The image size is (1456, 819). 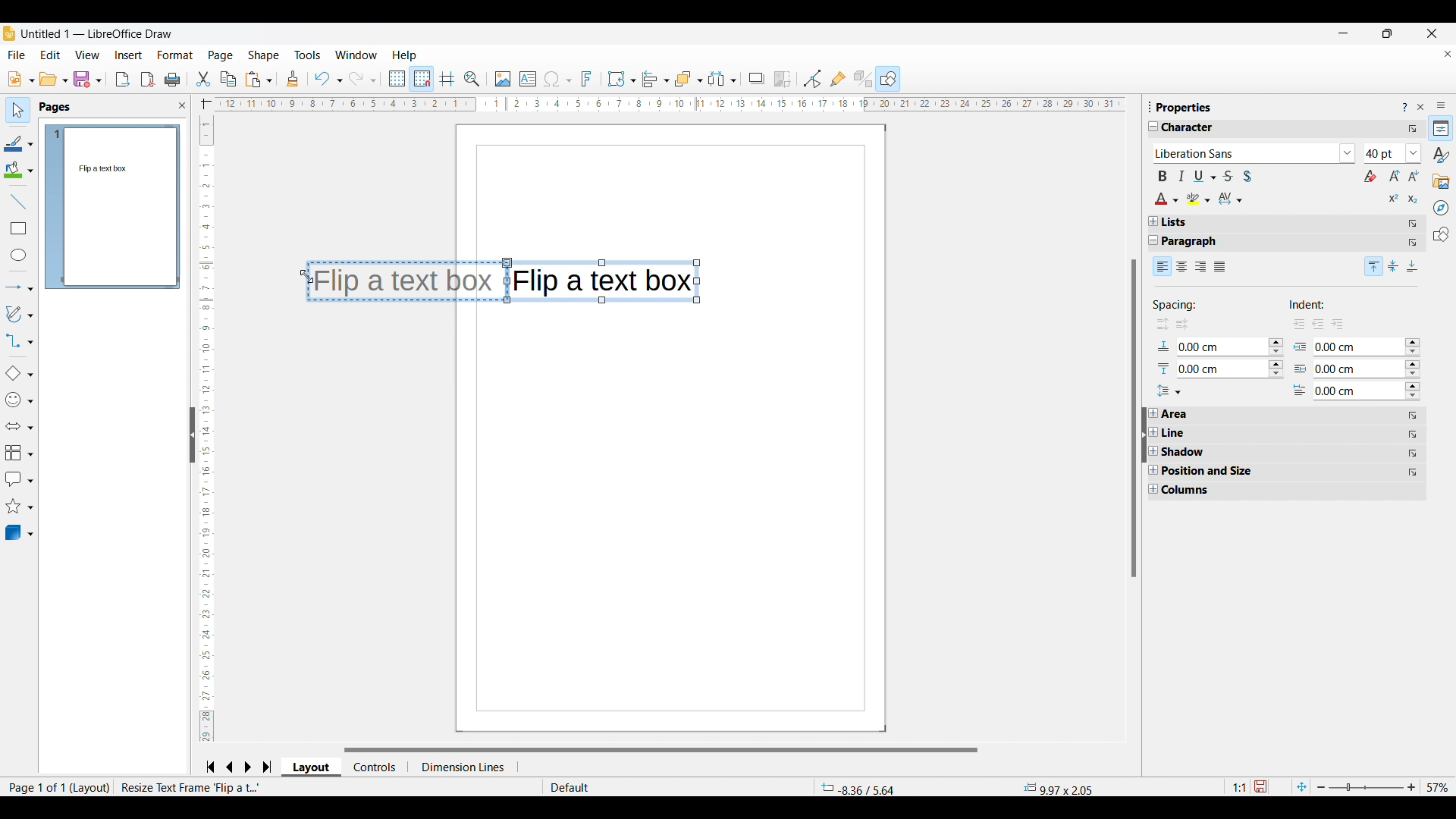 I want to click on dimension, so click(x=470, y=767).